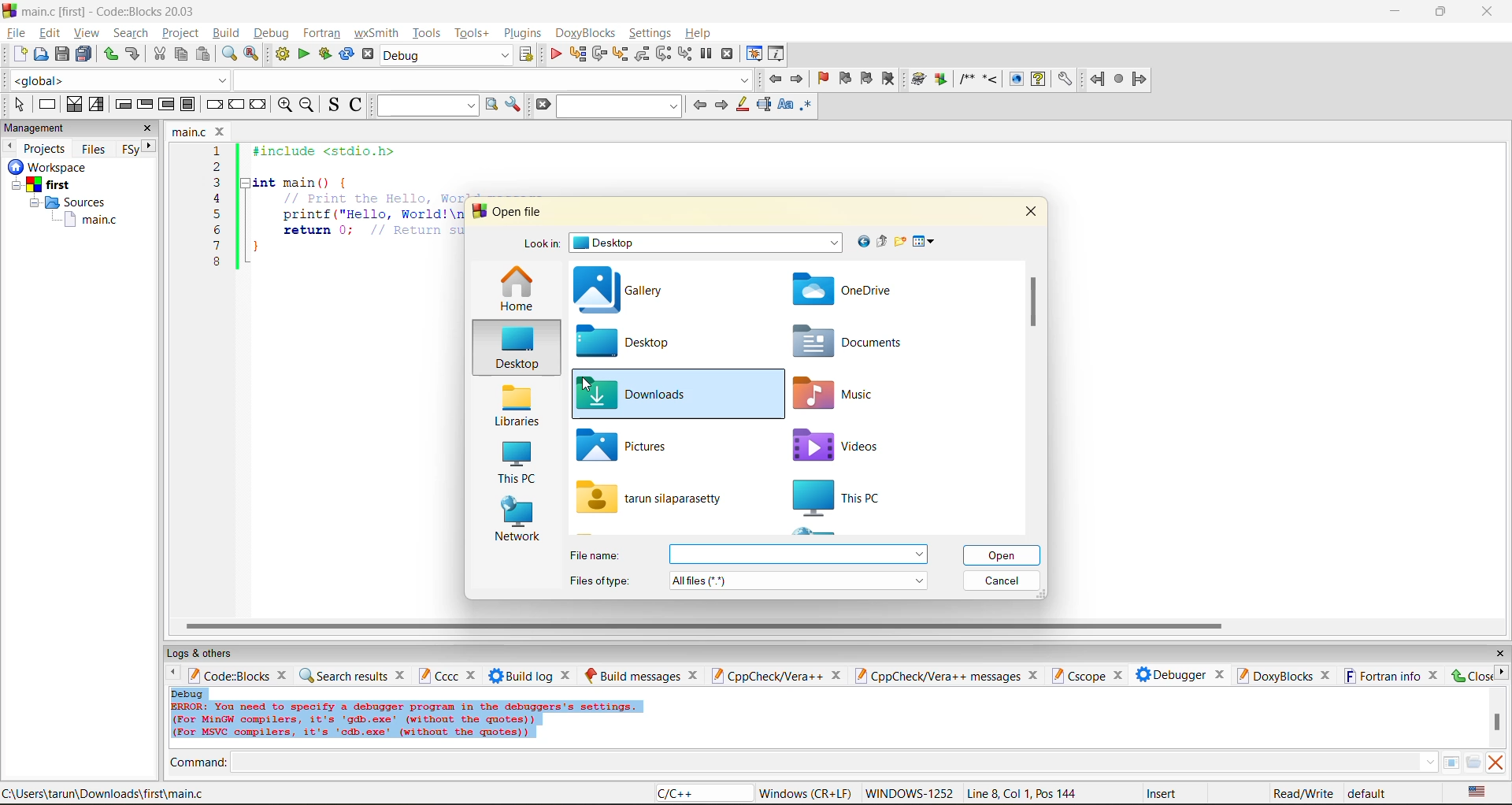  Describe the element at coordinates (343, 675) in the screenshot. I see `search results` at that location.